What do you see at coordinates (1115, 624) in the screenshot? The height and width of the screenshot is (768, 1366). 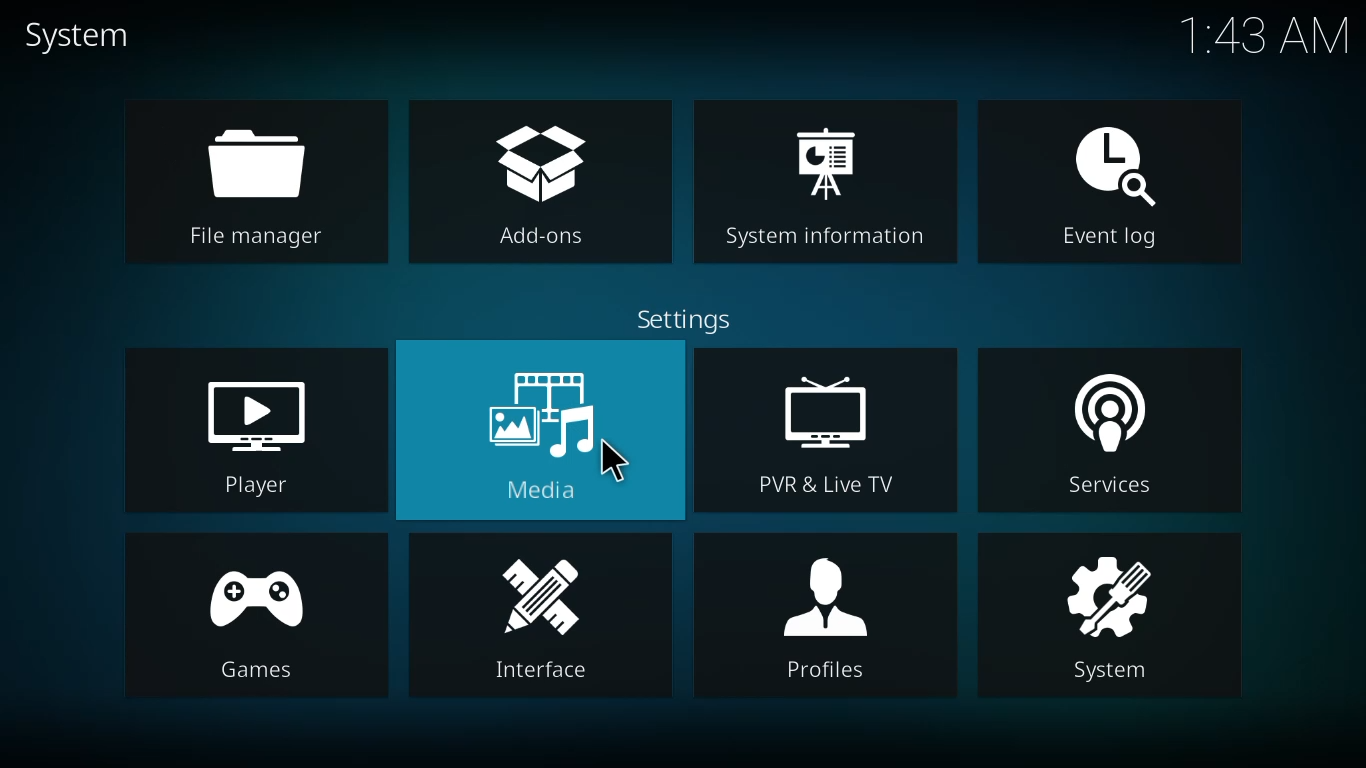 I see `system` at bounding box center [1115, 624].